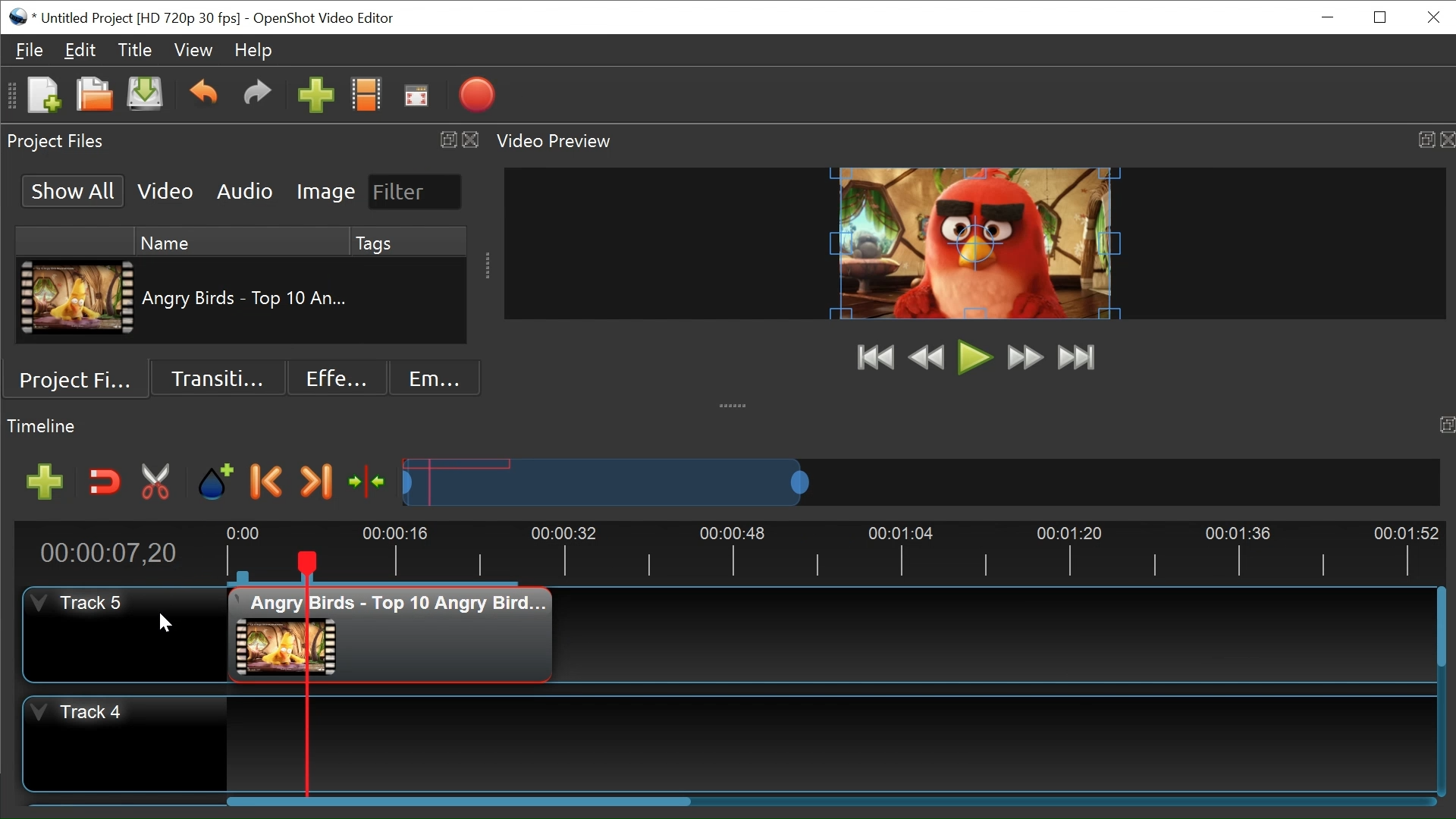 This screenshot has height=819, width=1456. I want to click on Import Files, so click(316, 96).